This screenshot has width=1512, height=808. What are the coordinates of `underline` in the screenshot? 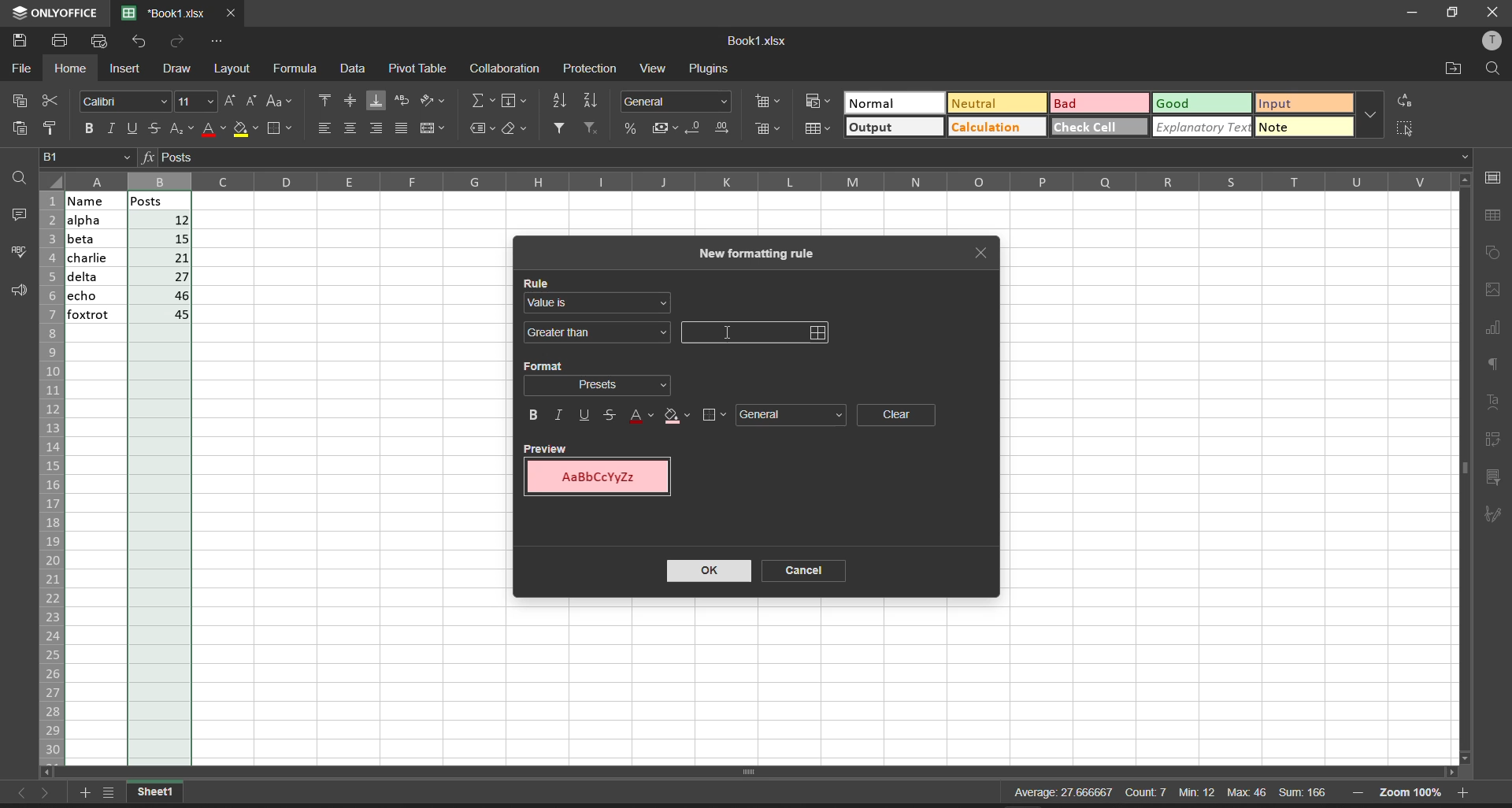 It's located at (132, 130).